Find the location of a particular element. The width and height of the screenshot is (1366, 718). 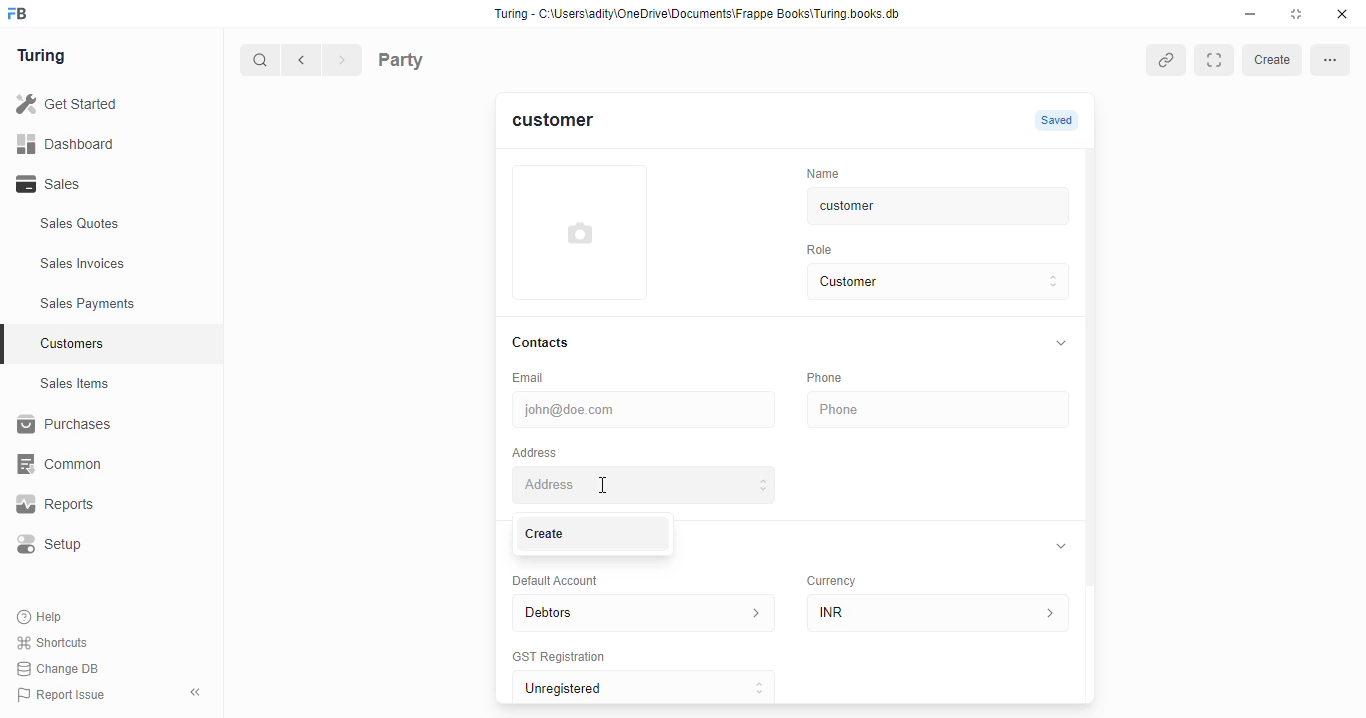

frappebooks logo is located at coordinates (23, 15).